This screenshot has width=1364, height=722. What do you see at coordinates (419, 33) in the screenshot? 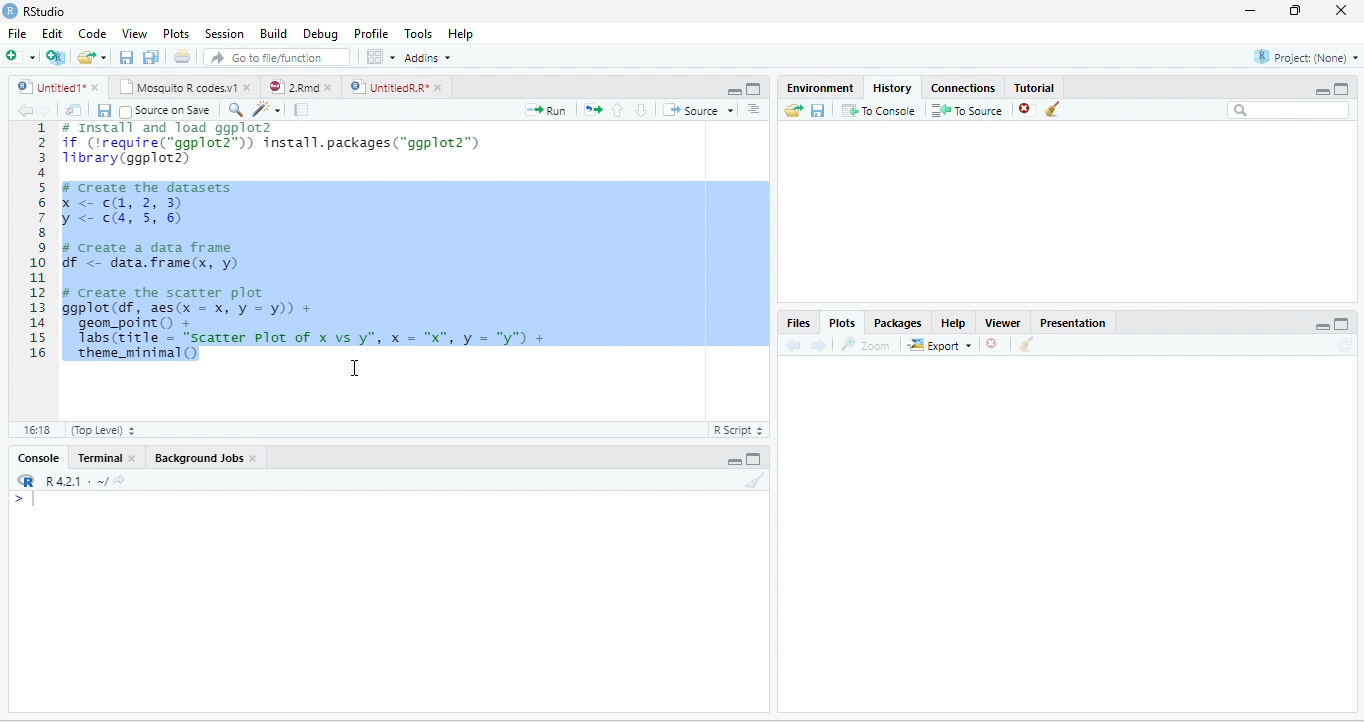
I see `Tools` at bounding box center [419, 33].